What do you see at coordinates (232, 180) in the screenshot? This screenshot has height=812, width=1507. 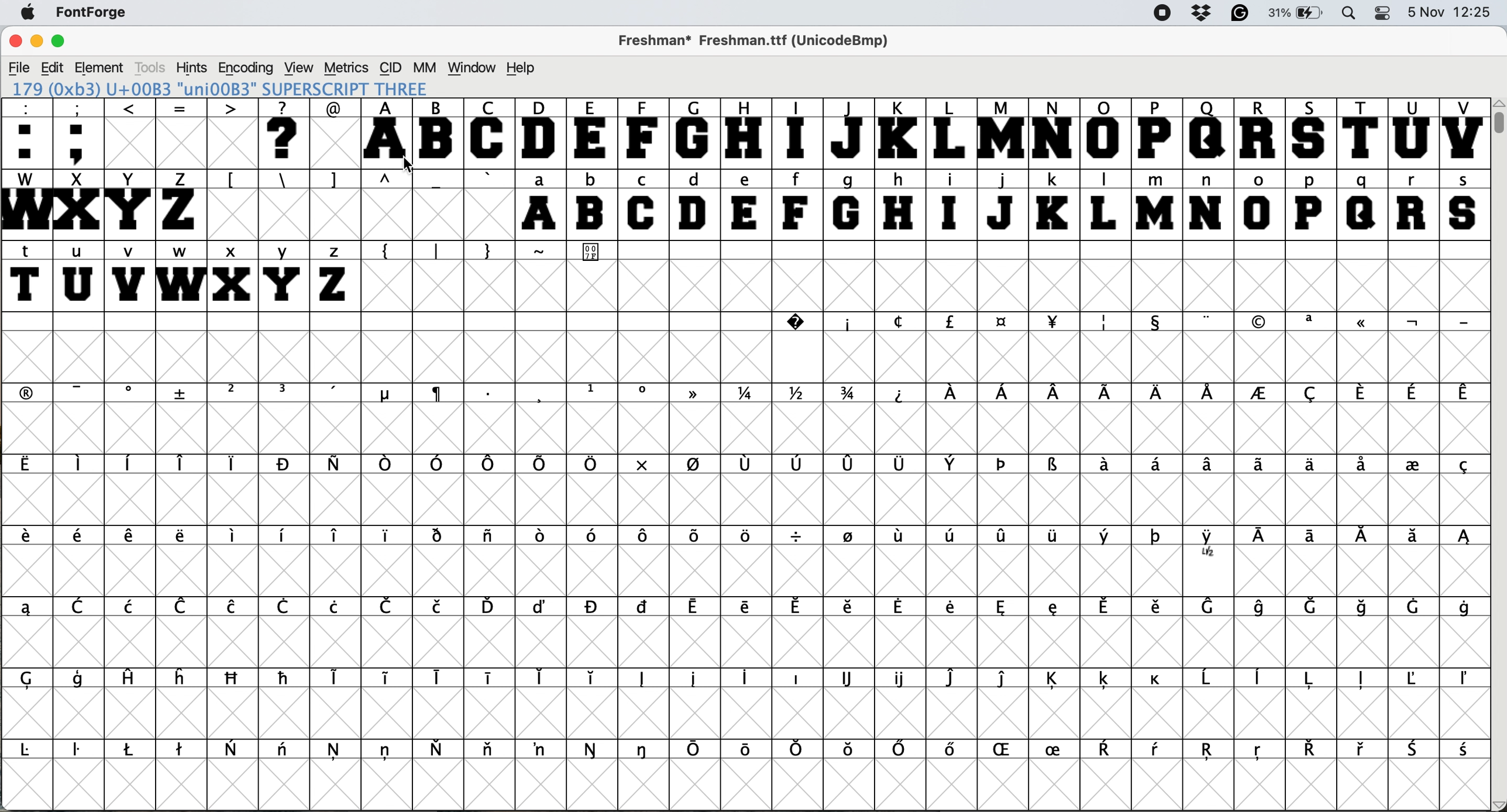 I see `[` at bounding box center [232, 180].